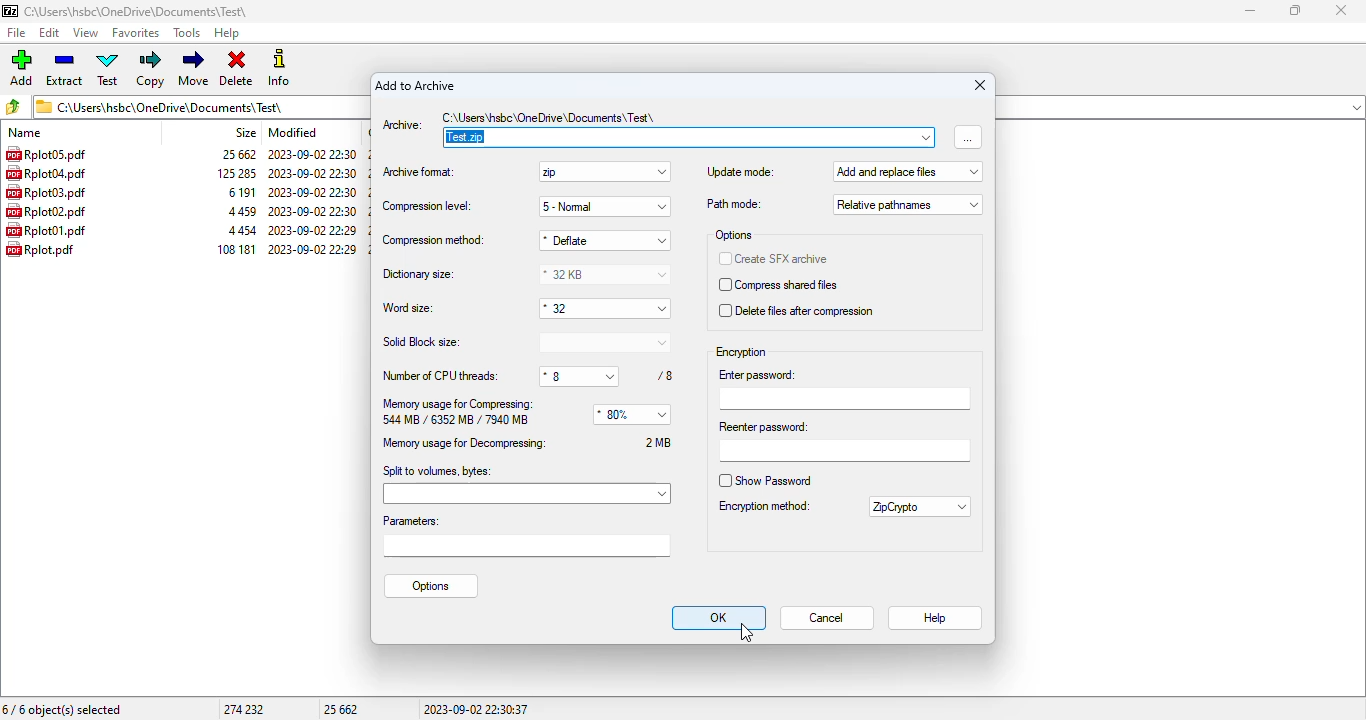 The image size is (1366, 720). What do you see at coordinates (199, 106) in the screenshot?
I see `current folder` at bounding box center [199, 106].